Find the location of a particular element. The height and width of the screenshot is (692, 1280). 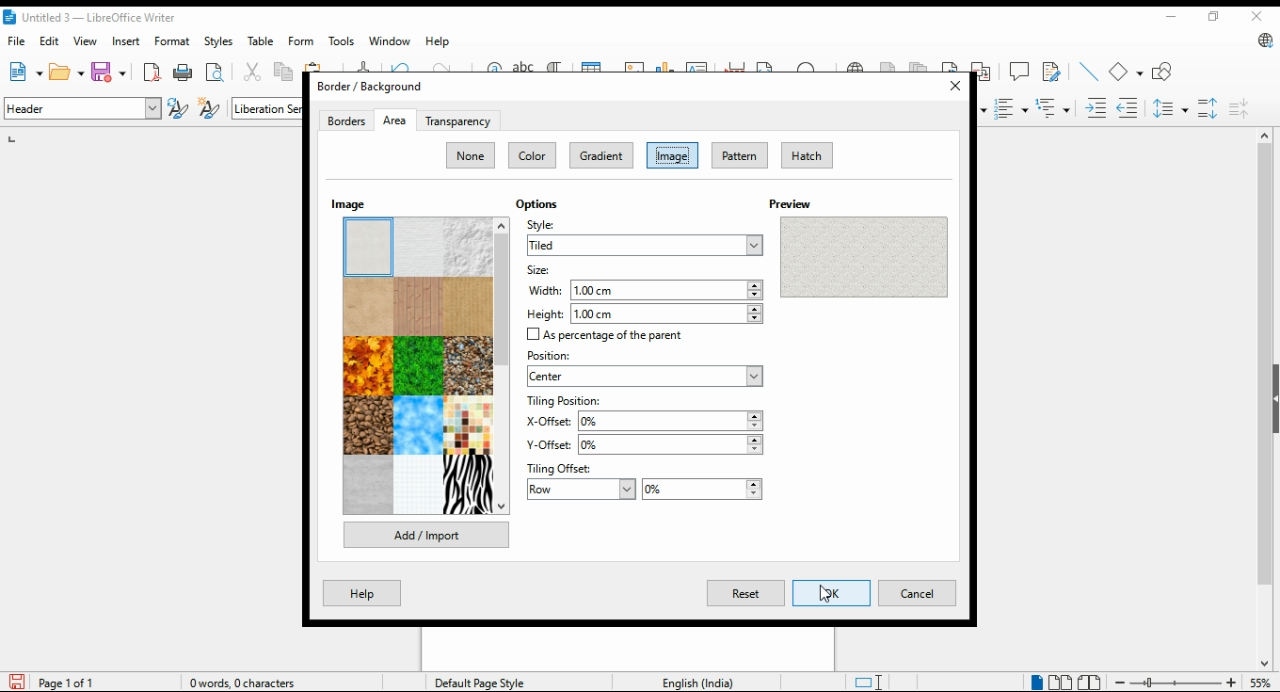

image is located at coordinates (674, 156).